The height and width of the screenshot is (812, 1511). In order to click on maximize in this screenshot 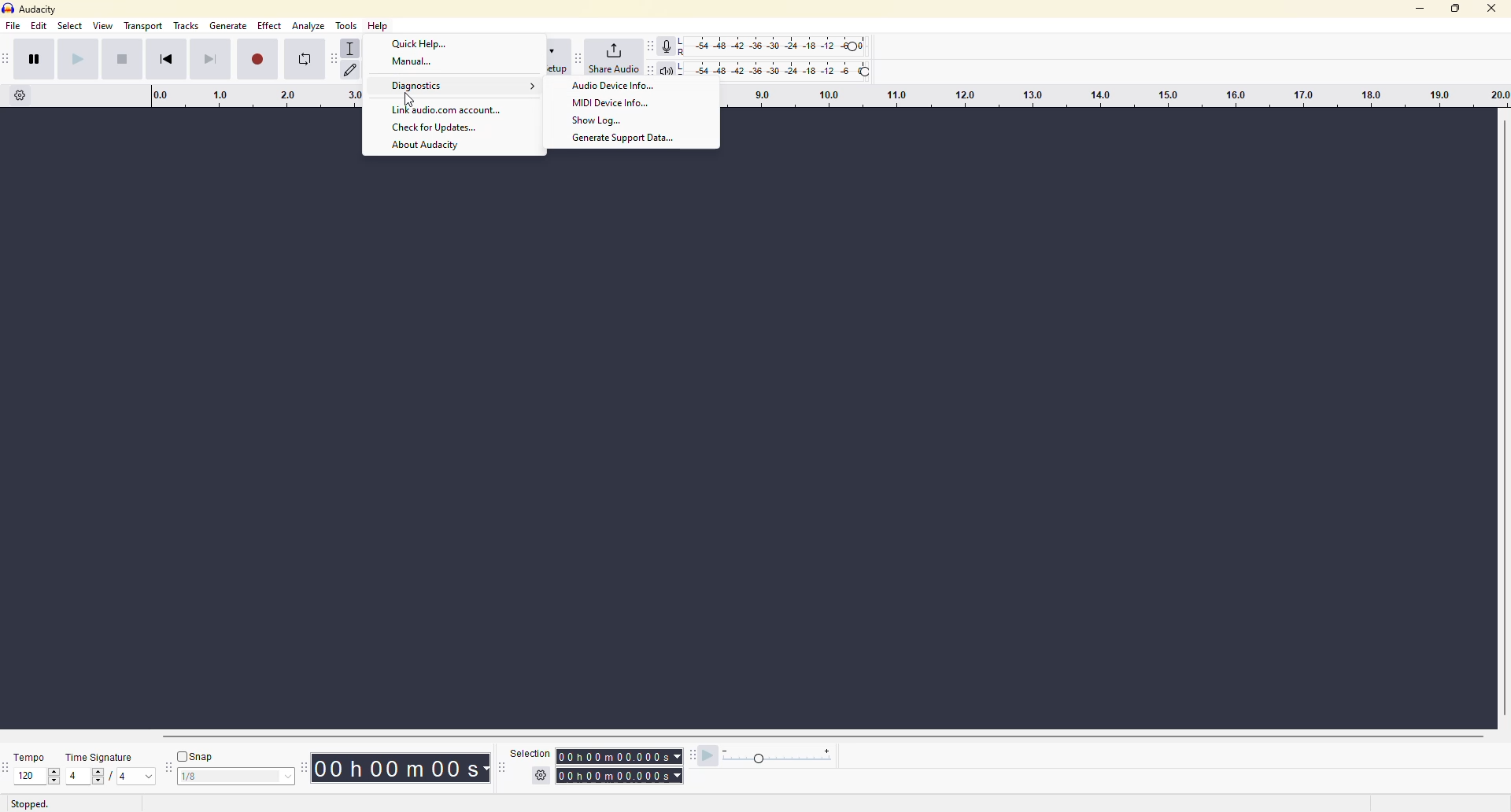, I will do `click(1457, 10)`.